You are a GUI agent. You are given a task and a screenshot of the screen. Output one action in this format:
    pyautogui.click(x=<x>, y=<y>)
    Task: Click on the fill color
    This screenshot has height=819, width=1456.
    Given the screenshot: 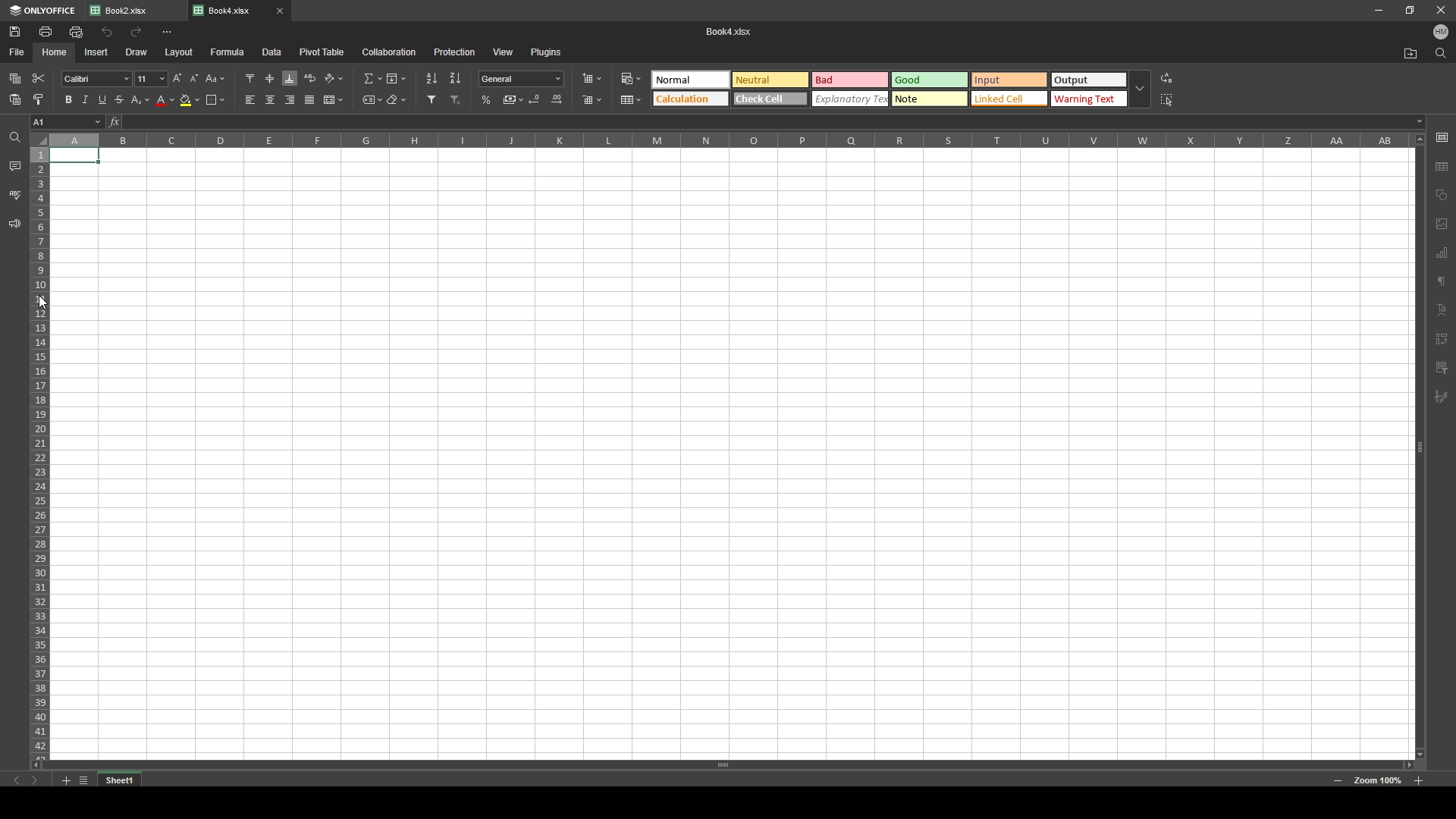 What is the action you would take?
    pyautogui.click(x=191, y=100)
    